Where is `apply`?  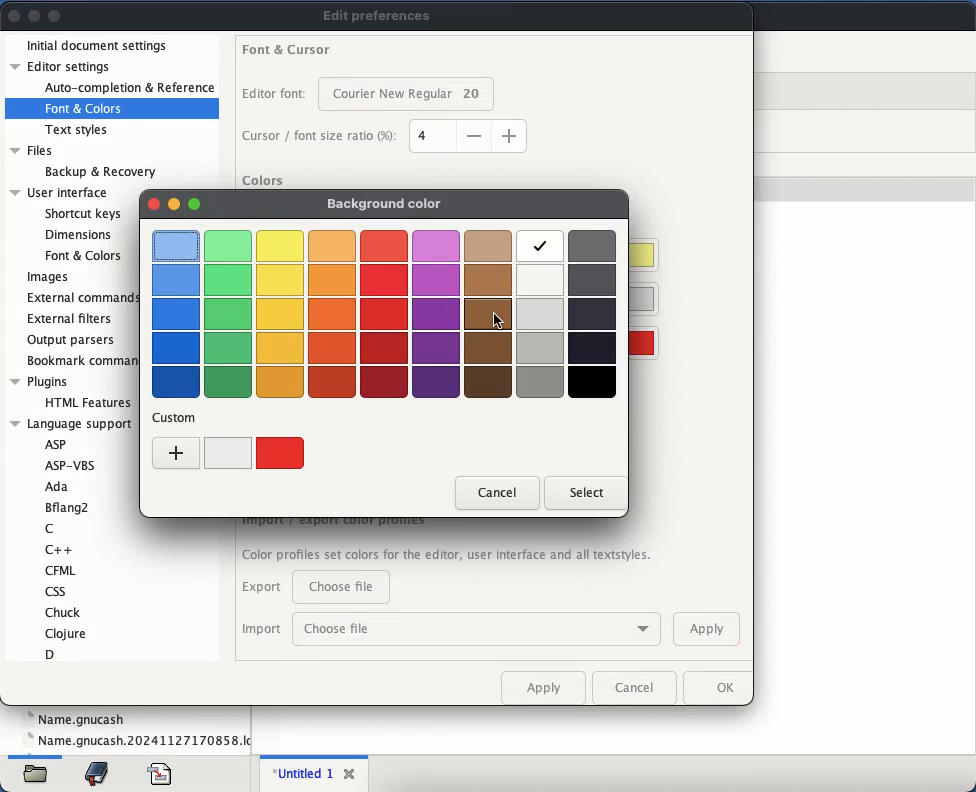 apply is located at coordinates (546, 686).